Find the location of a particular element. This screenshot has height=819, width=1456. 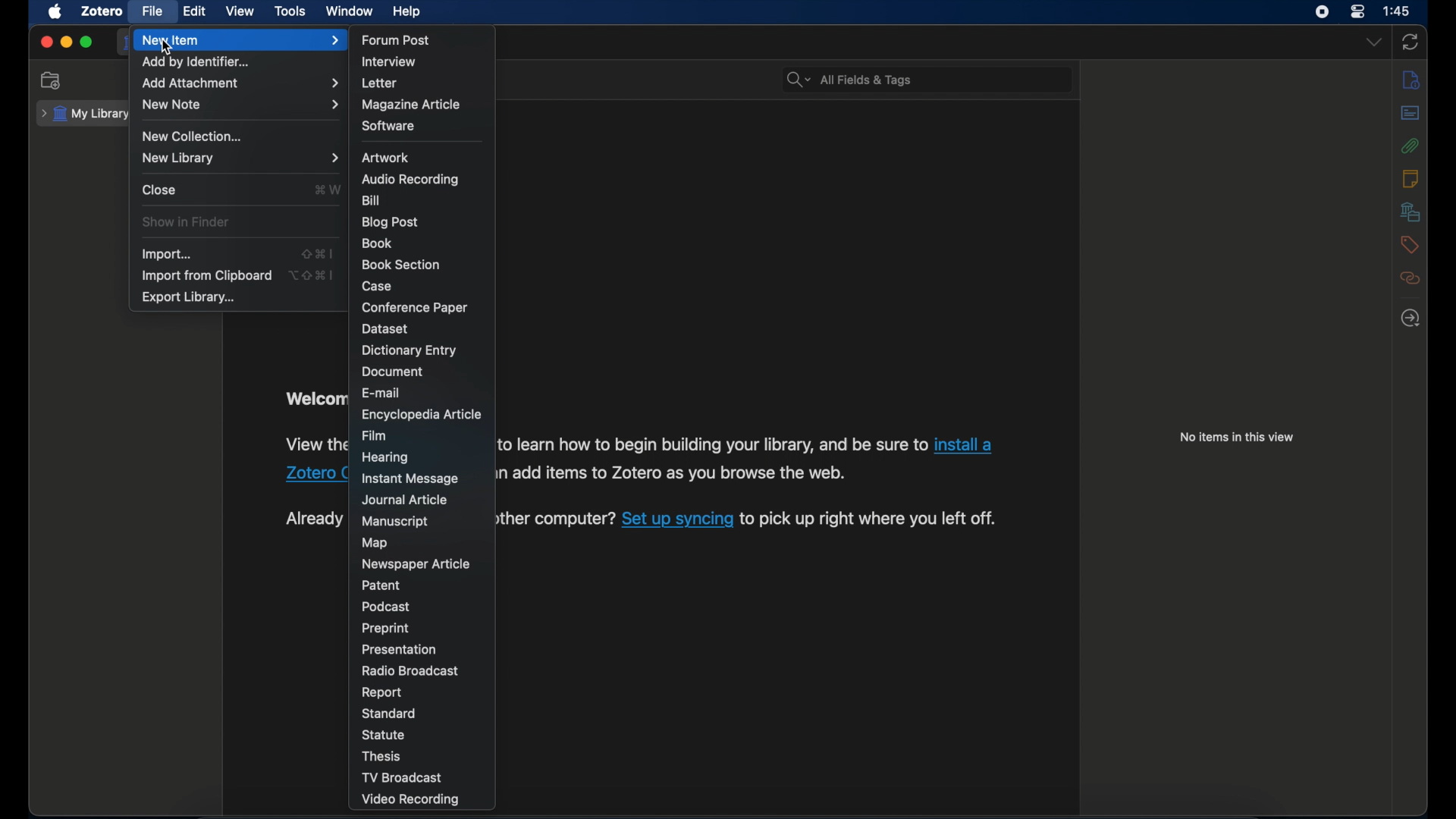

import from clipboard is located at coordinates (206, 275).